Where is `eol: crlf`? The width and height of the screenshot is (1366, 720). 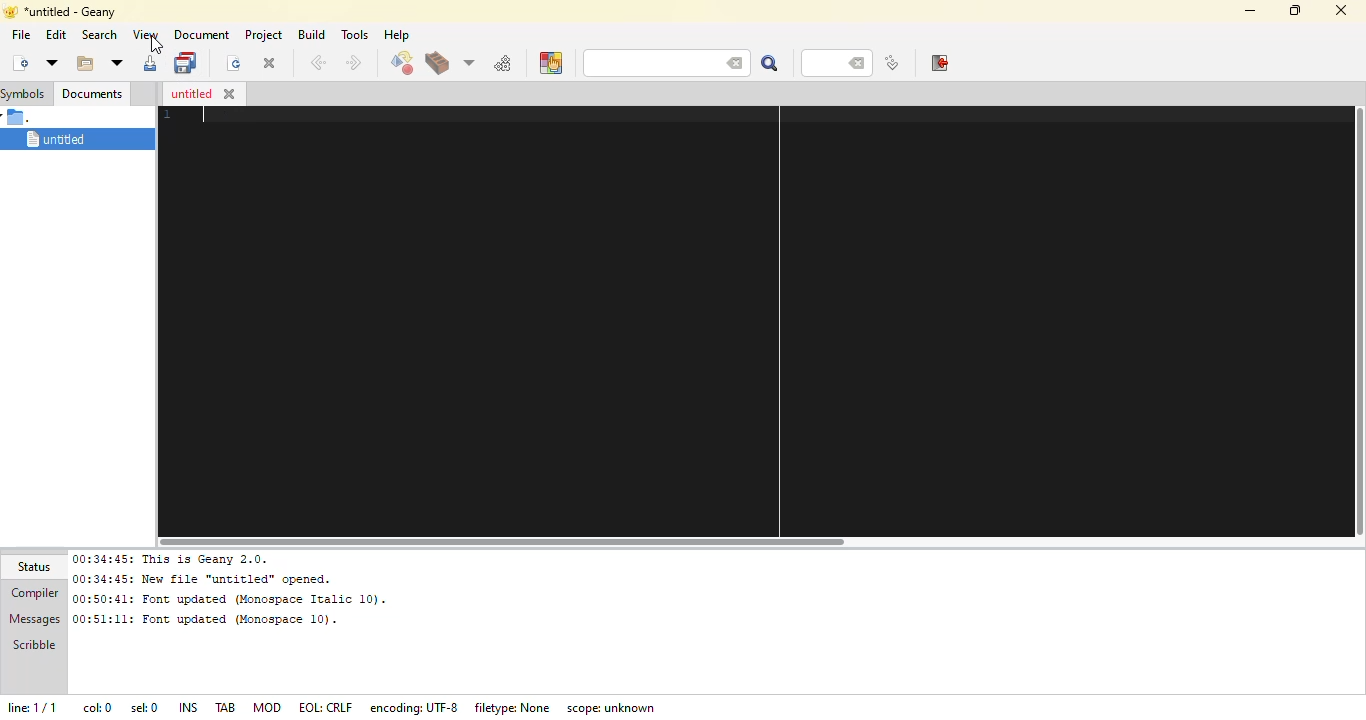
eol: crlf is located at coordinates (325, 708).